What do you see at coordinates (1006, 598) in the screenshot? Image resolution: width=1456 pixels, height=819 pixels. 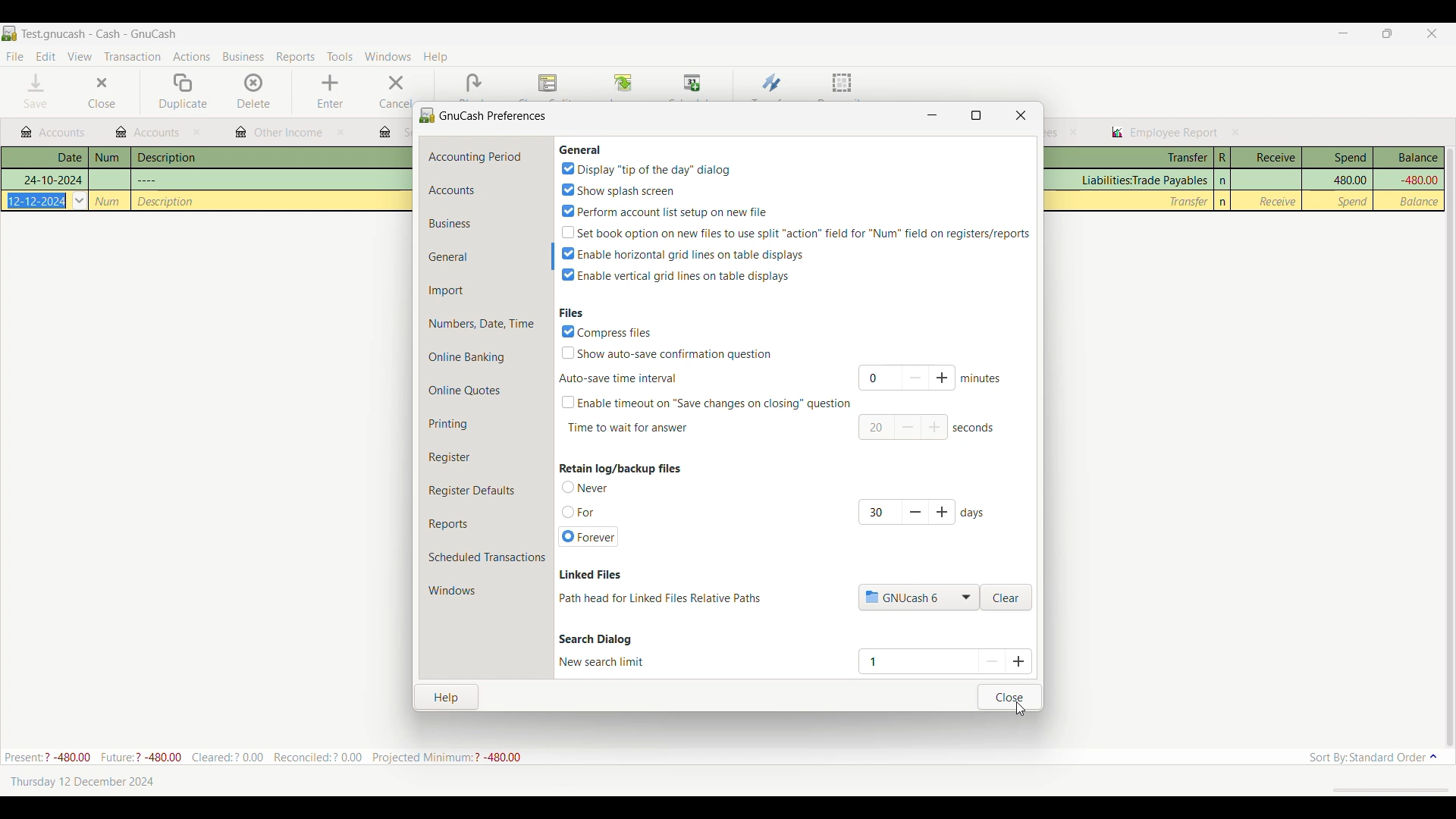 I see `Clear` at bounding box center [1006, 598].